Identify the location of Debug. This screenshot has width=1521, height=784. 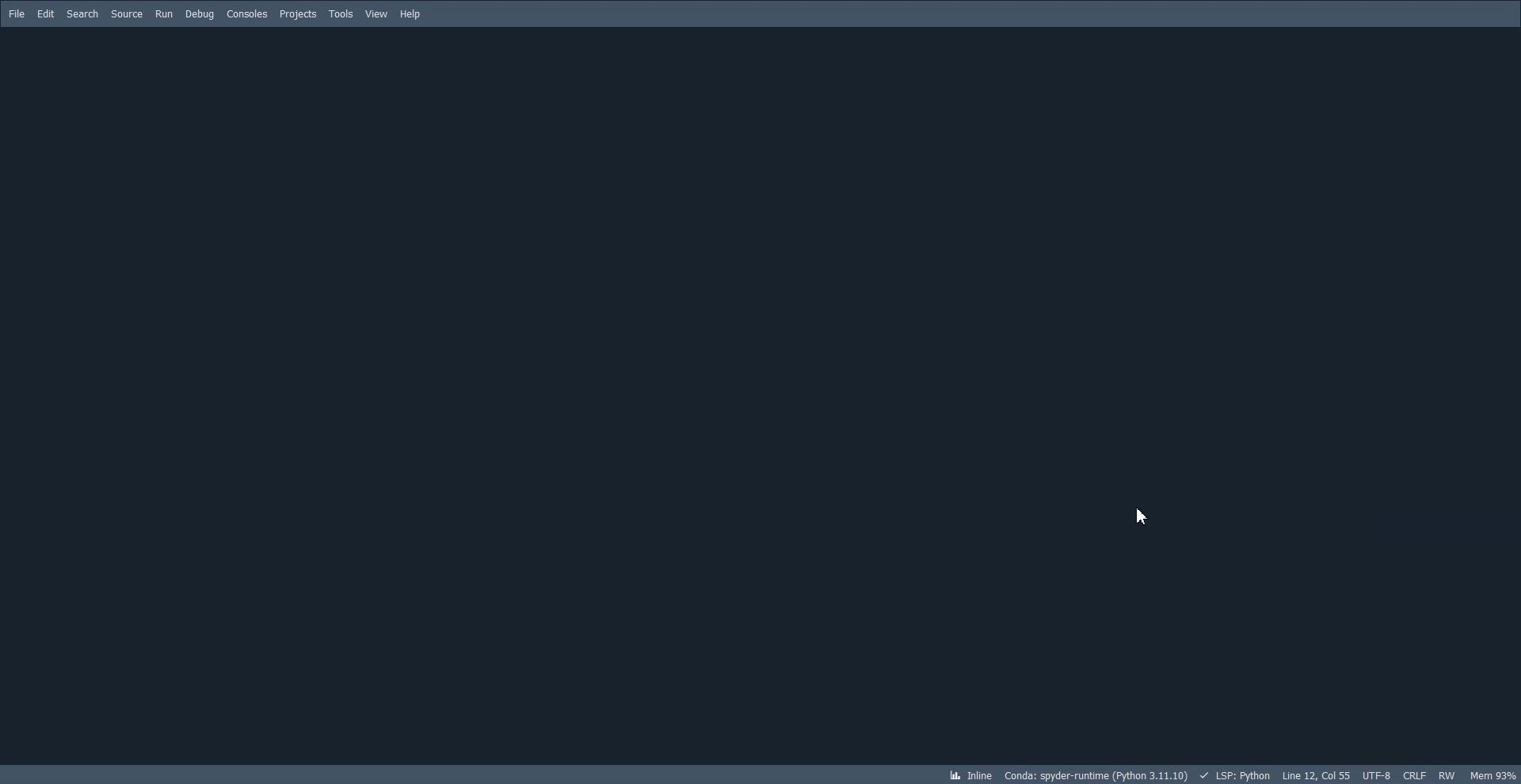
(200, 14).